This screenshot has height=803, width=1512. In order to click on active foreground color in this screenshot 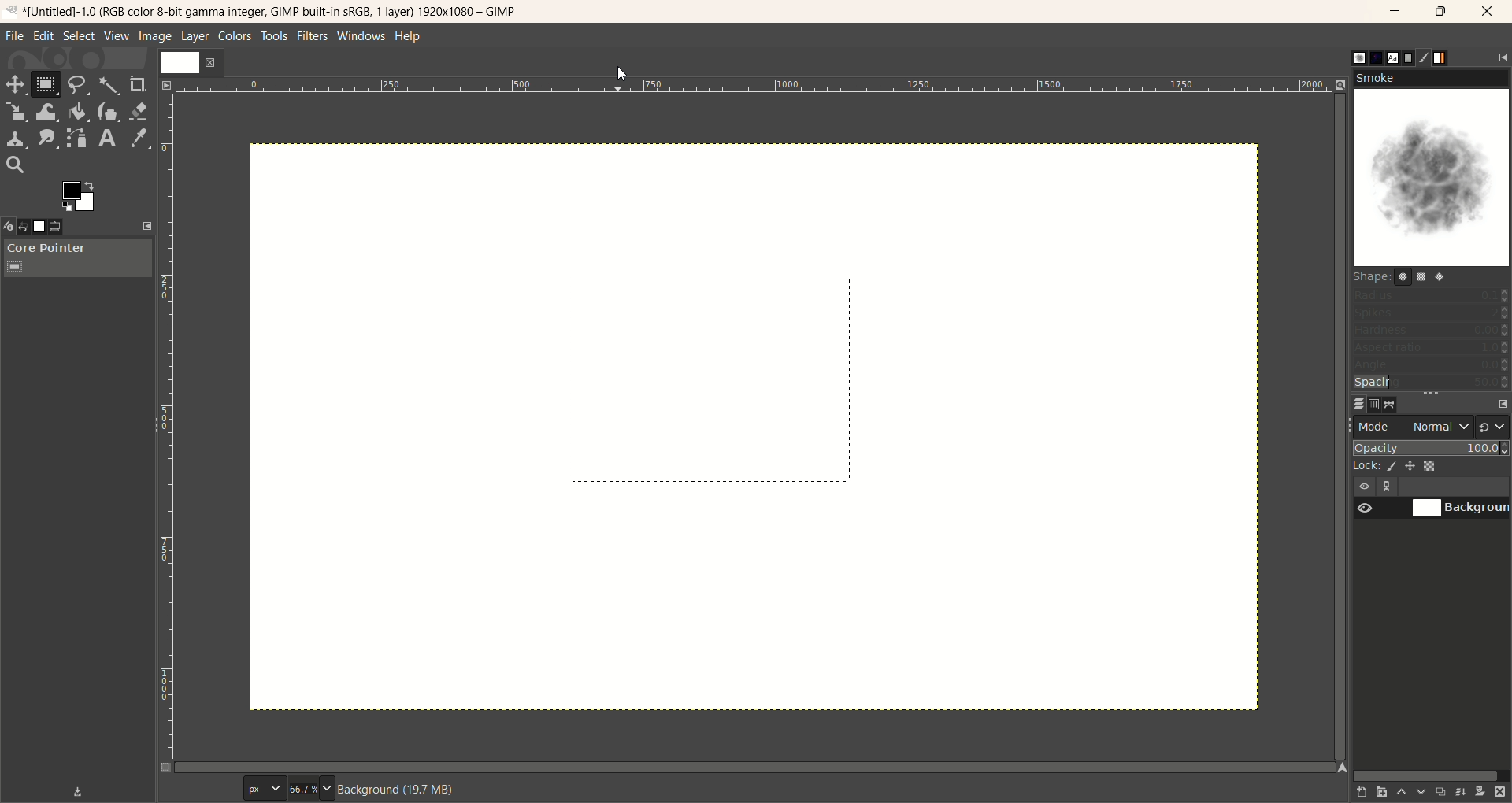, I will do `click(78, 196)`.